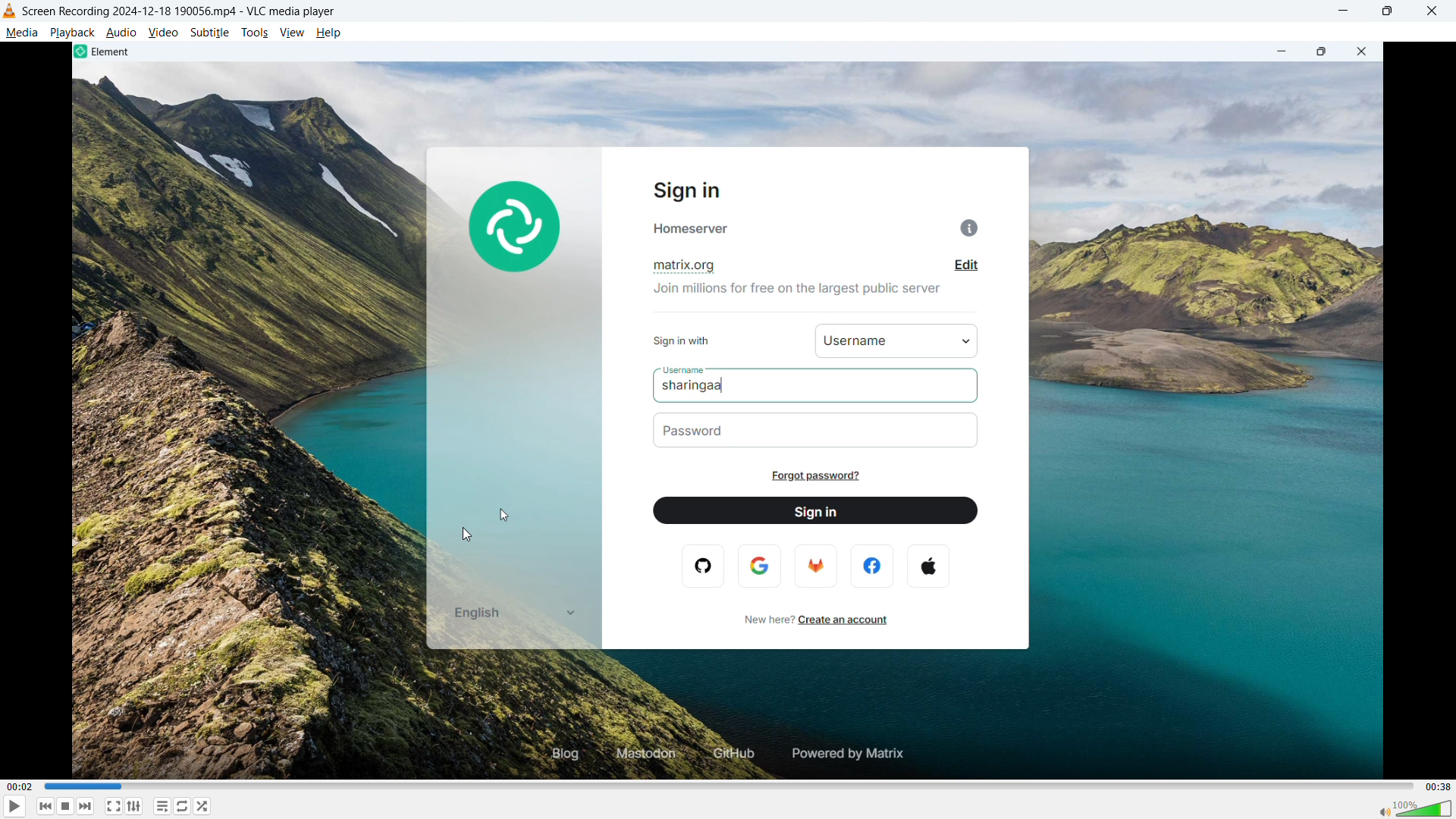  What do you see at coordinates (730, 755) in the screenshot?
I see `GitHub` at bounding box center [730, 755].